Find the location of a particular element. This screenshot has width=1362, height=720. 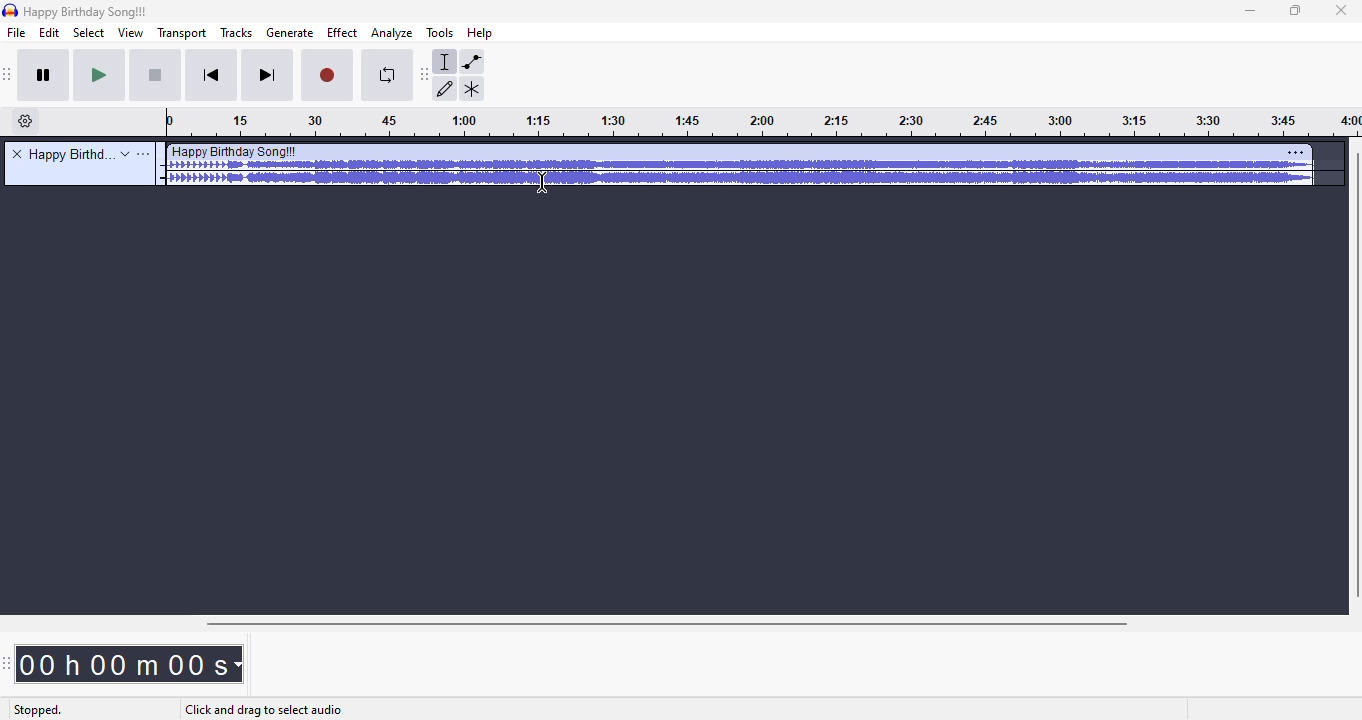

file is located at coordinates (17, 33).